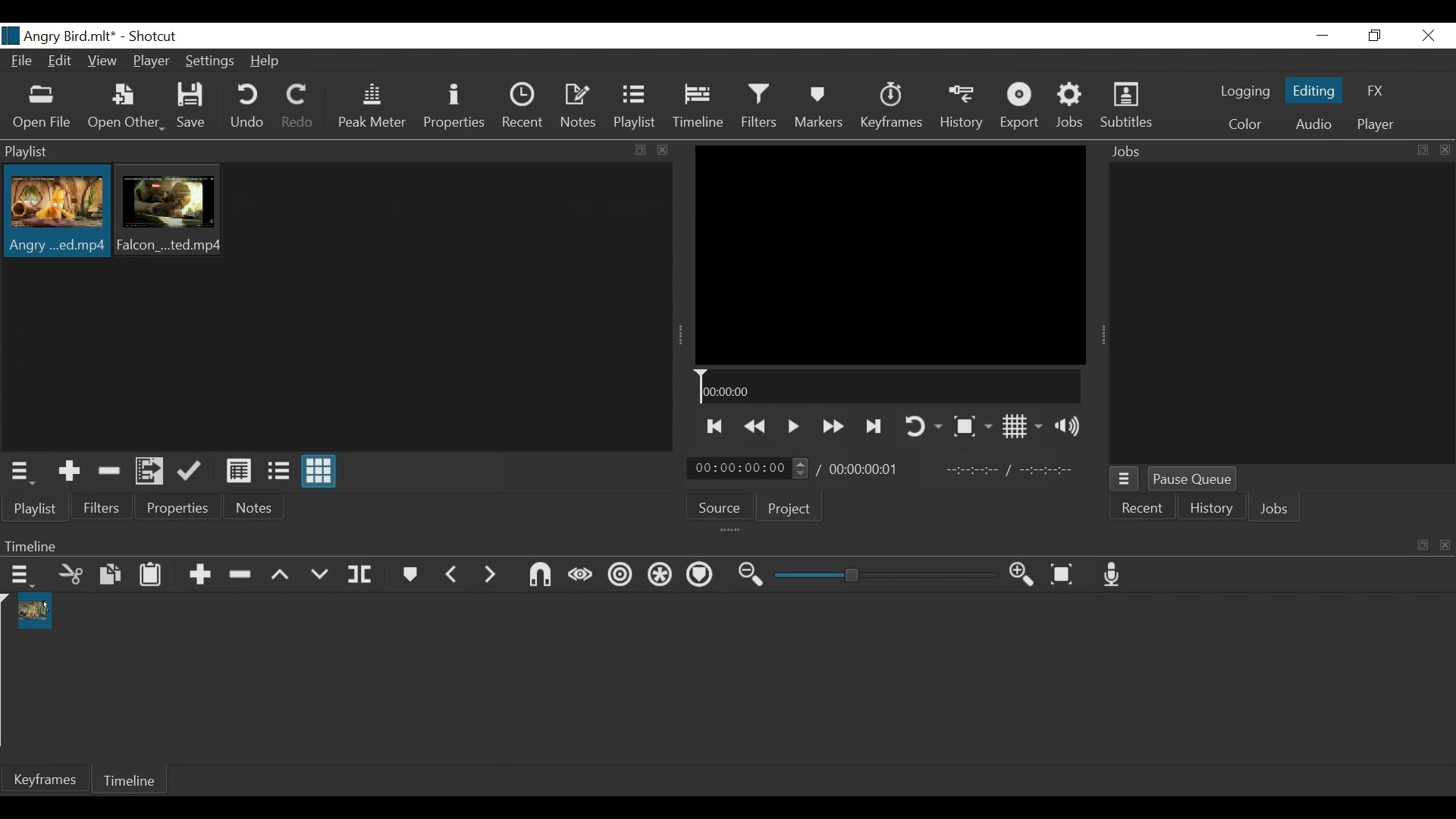 This screenshot has height=819, width=1456. Describe the element at coordinates (522, 109) in the screenshot. I see `Recent` at that location.